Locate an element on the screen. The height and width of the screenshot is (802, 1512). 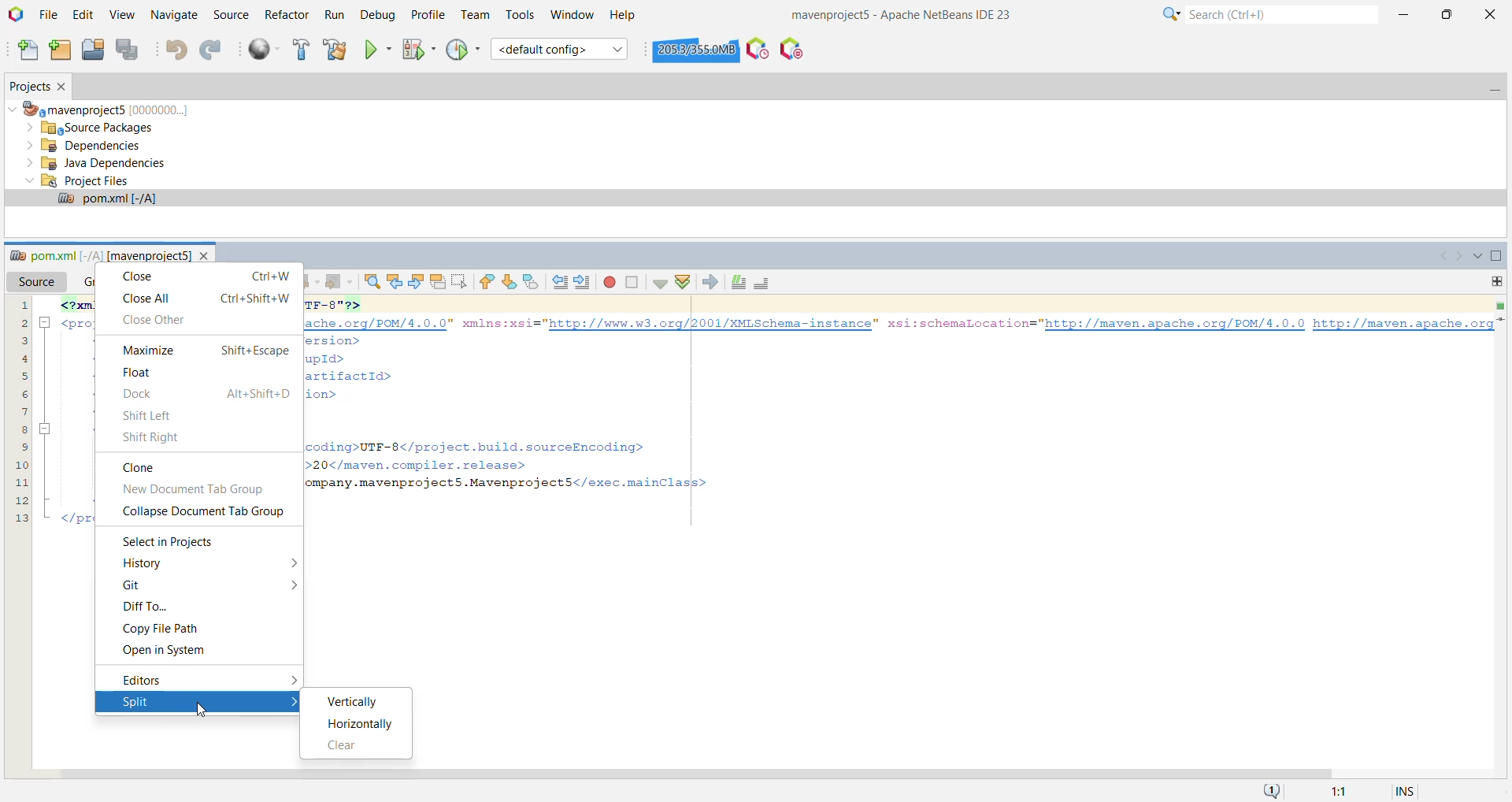
Search Bar is located at coordinates (1266, 13).